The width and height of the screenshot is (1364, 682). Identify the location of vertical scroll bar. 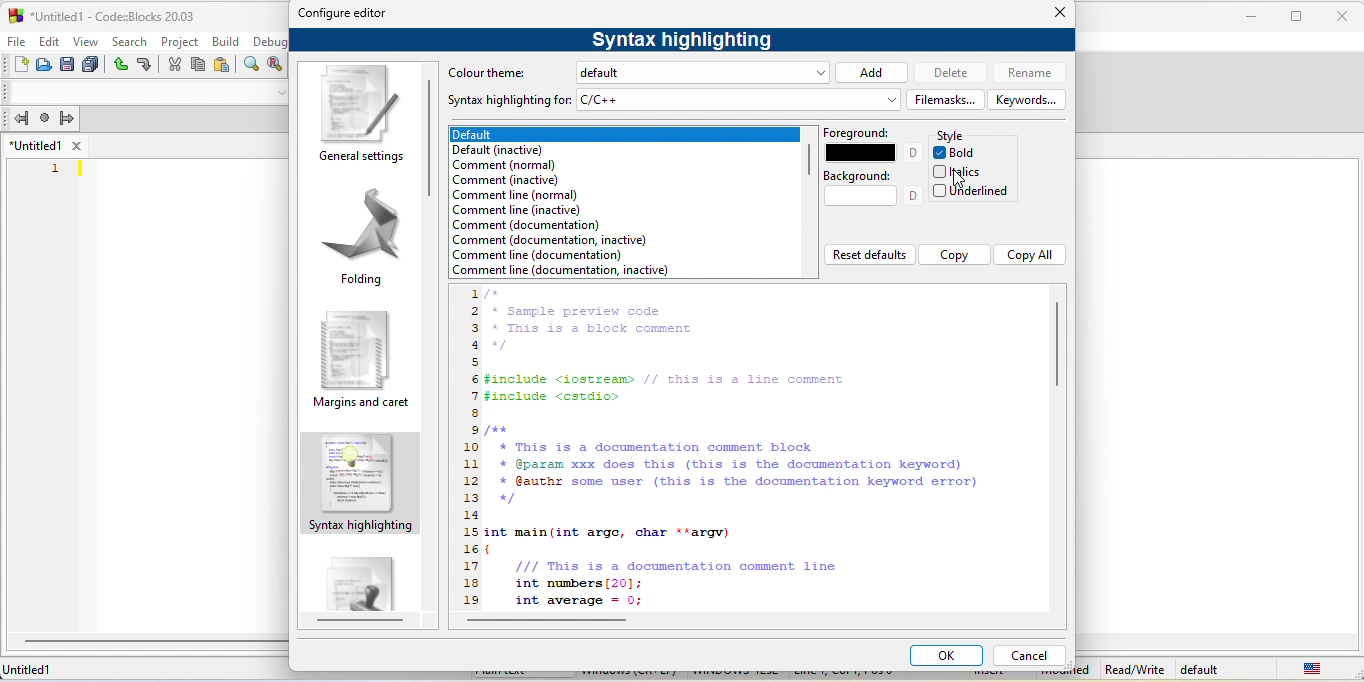
(808, 161).